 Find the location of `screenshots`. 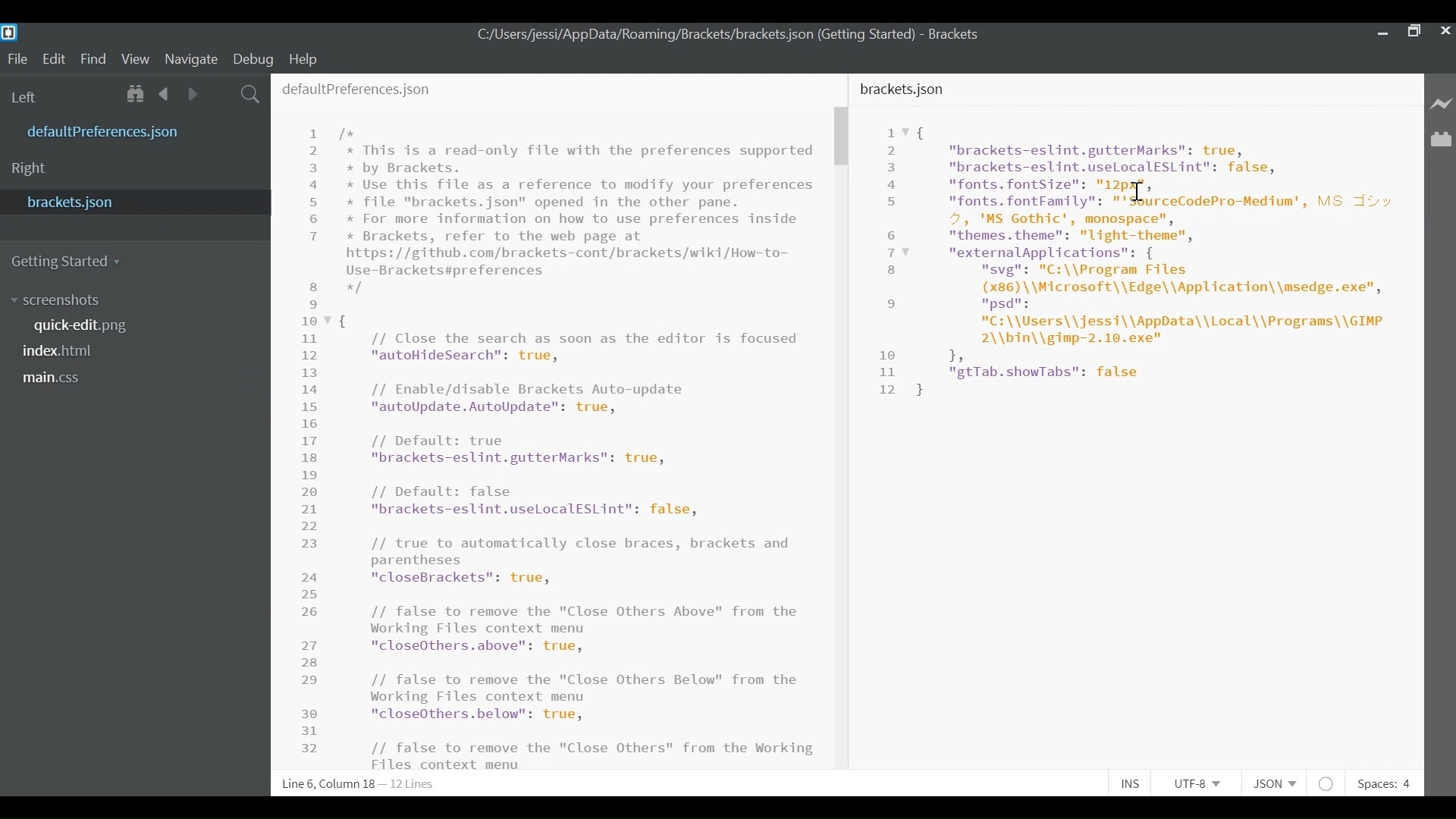

screenshots is located at coordinates (55, 300).